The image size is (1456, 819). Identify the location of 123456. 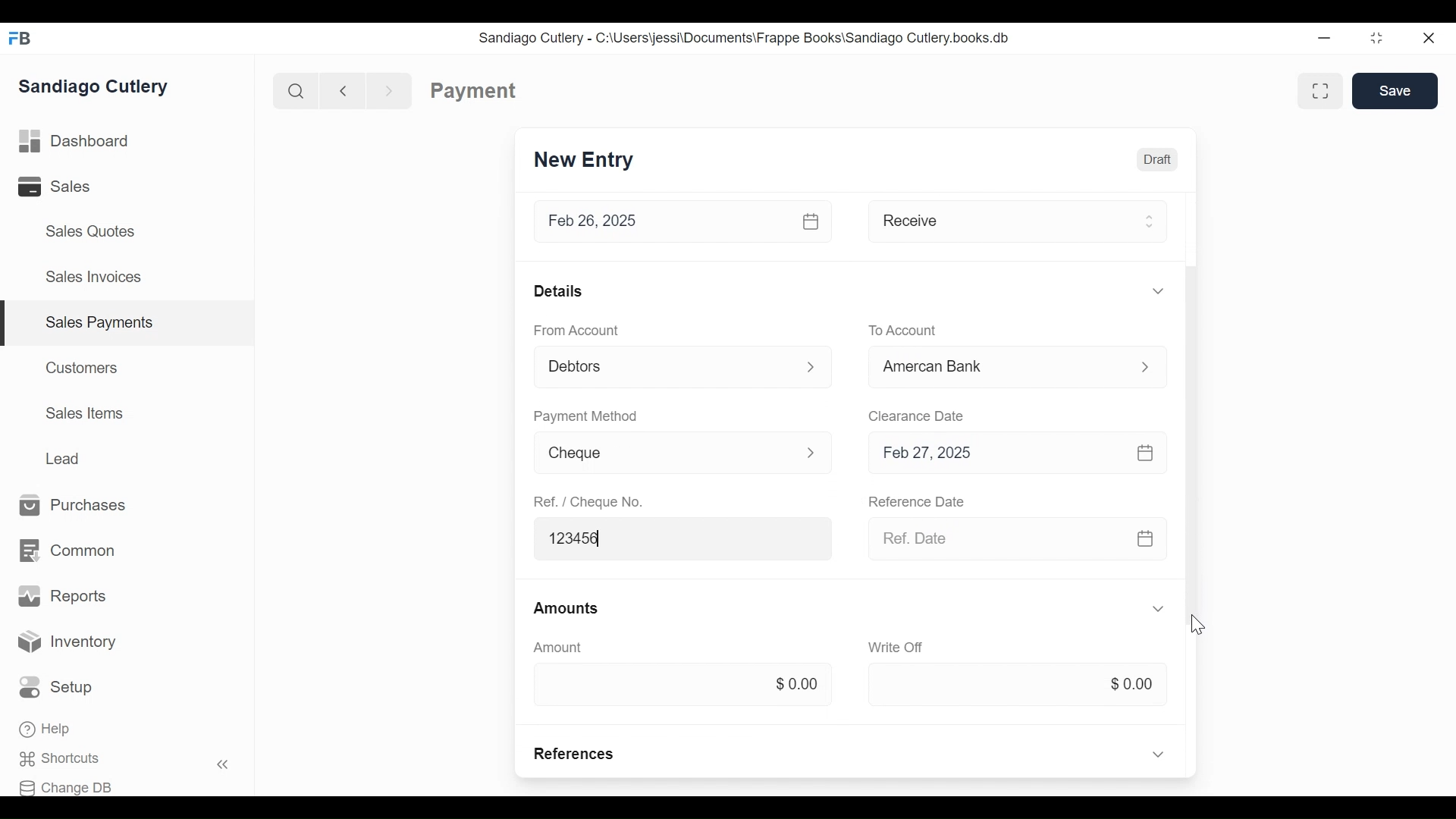
(685, 538).